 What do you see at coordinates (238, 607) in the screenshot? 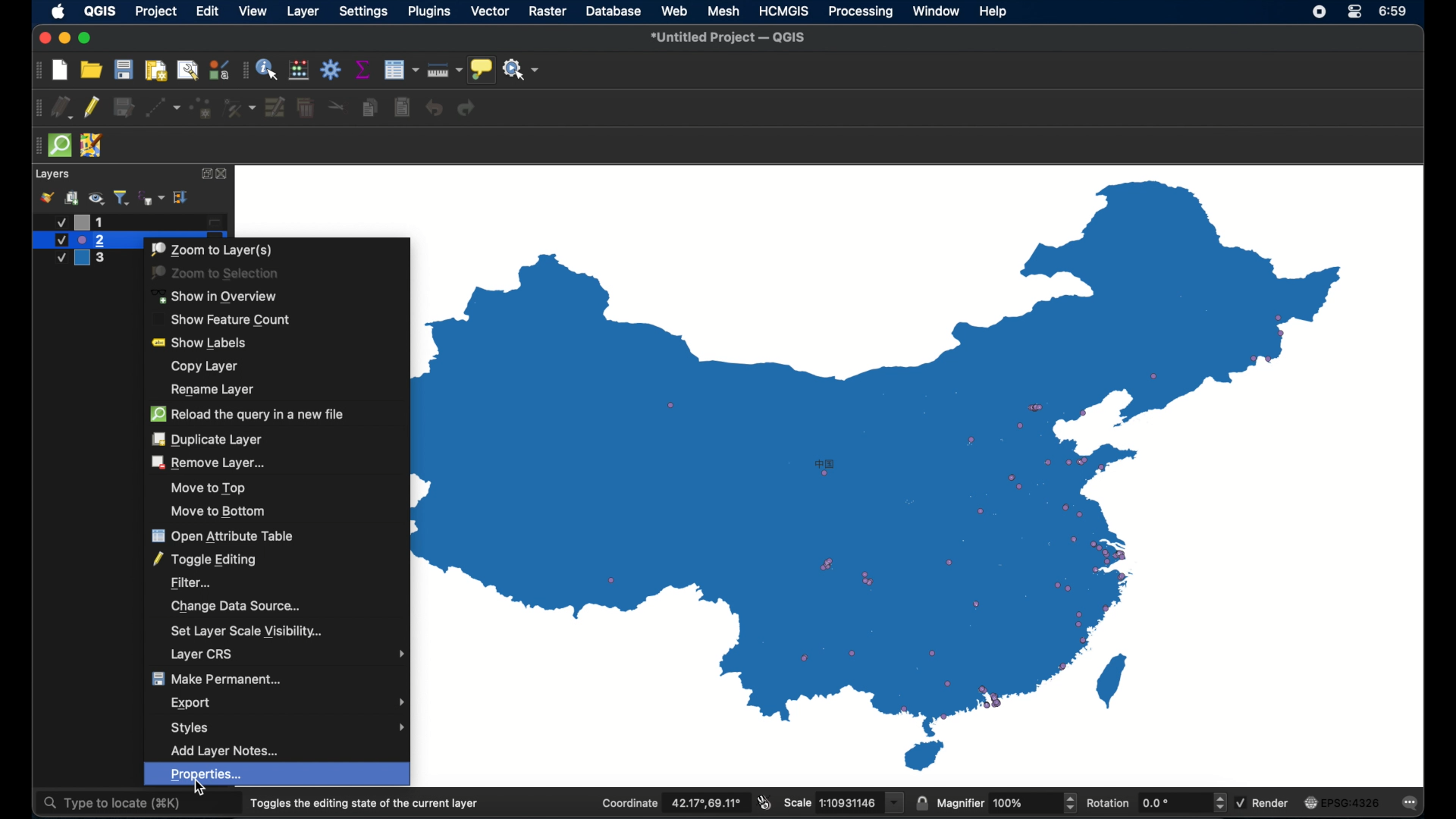
I see `change data source` at bounding box center [238, 607].